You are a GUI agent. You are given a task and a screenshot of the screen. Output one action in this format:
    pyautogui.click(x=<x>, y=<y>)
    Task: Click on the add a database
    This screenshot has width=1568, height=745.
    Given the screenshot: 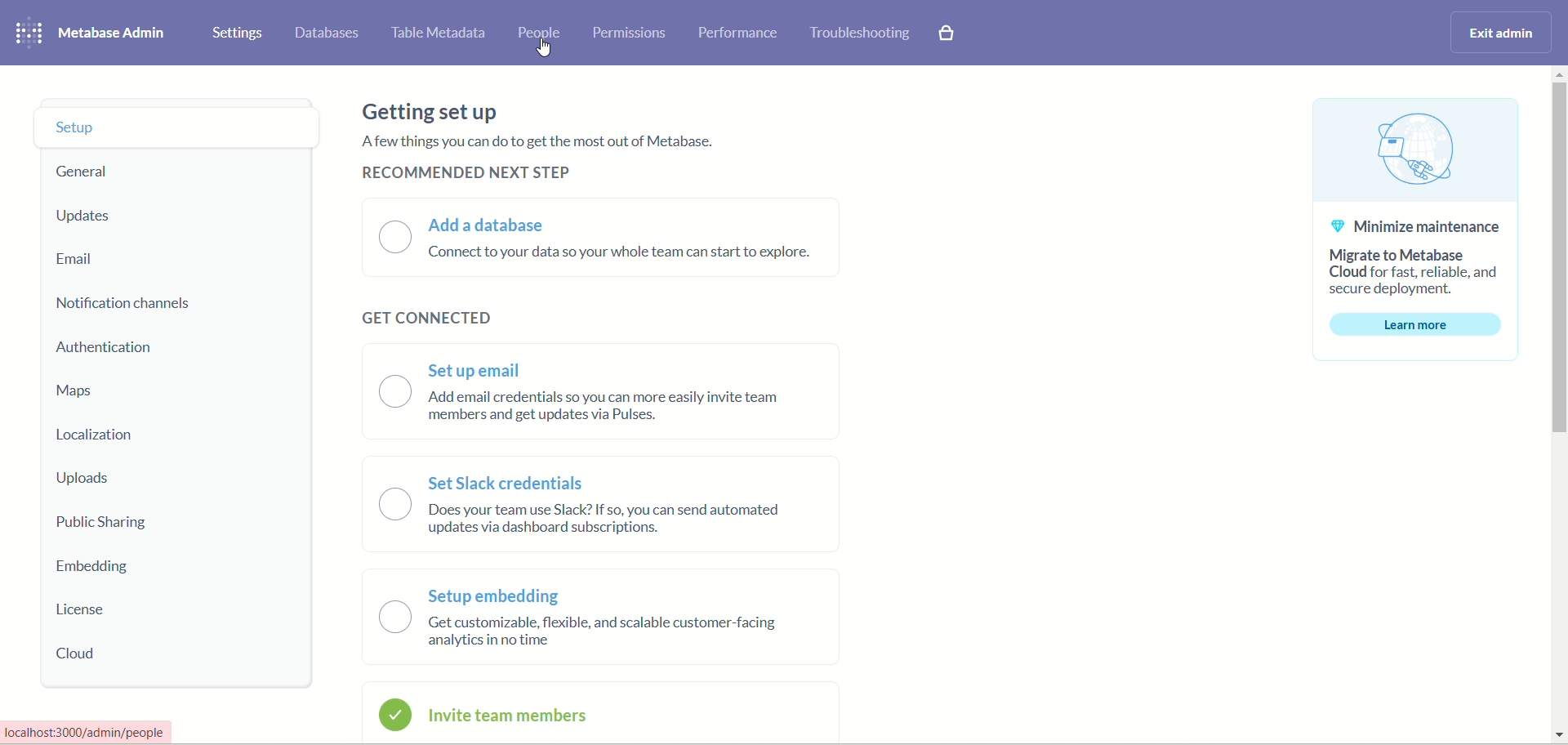 What is the action you would take?
    pyautogui.click(x=482, y=225)
    